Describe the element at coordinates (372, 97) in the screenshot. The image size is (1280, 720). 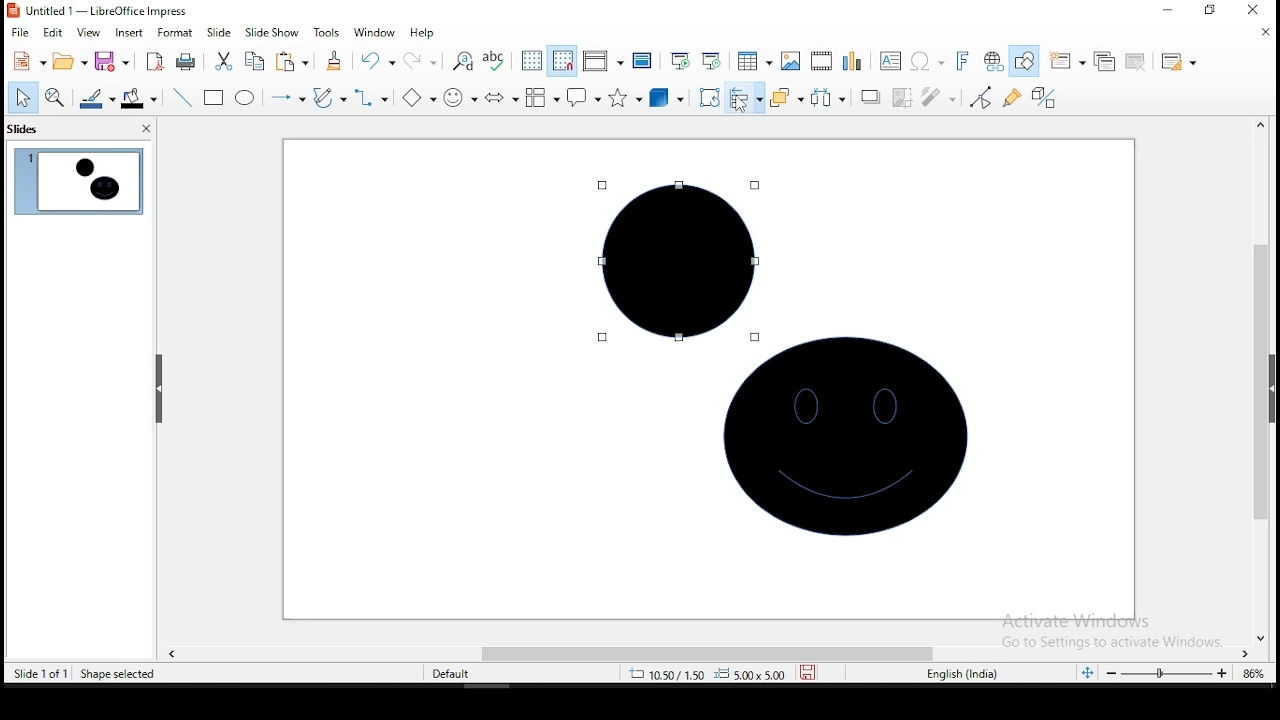
I see `connectors` at that location.